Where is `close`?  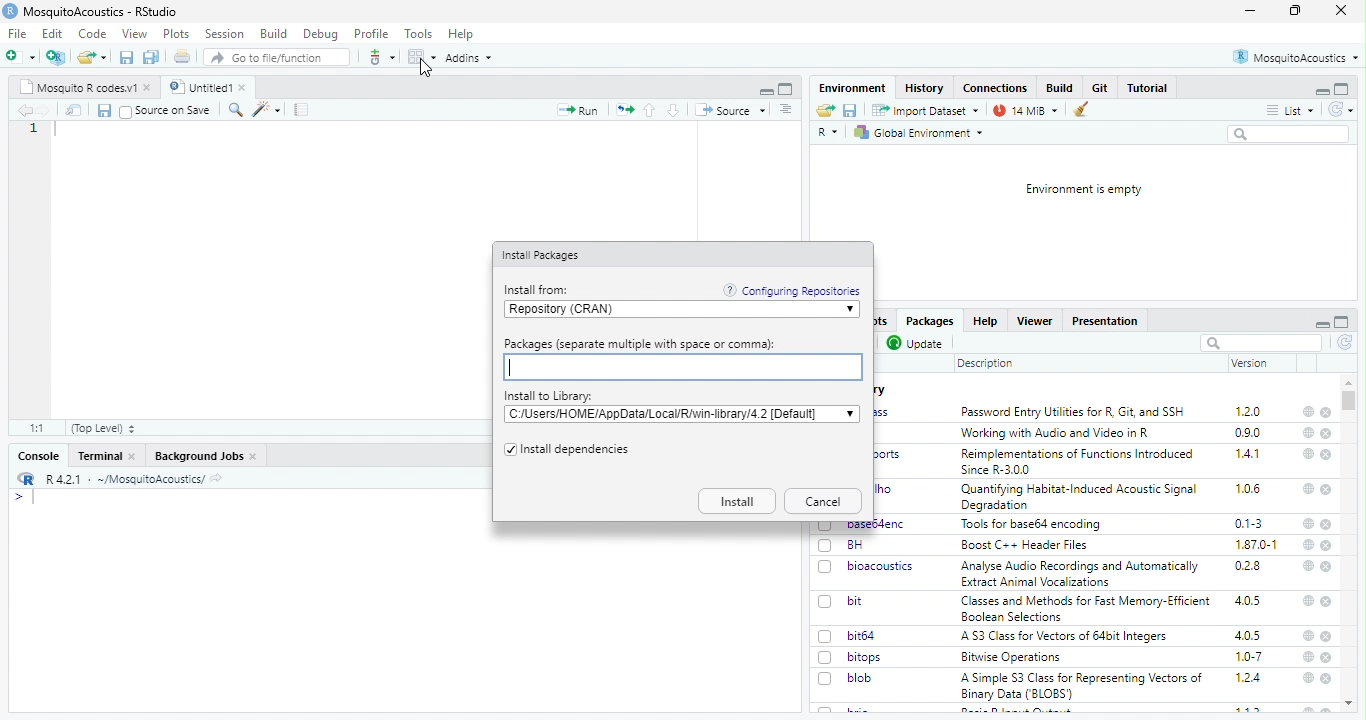
close is located at coordinates (1327, 637).